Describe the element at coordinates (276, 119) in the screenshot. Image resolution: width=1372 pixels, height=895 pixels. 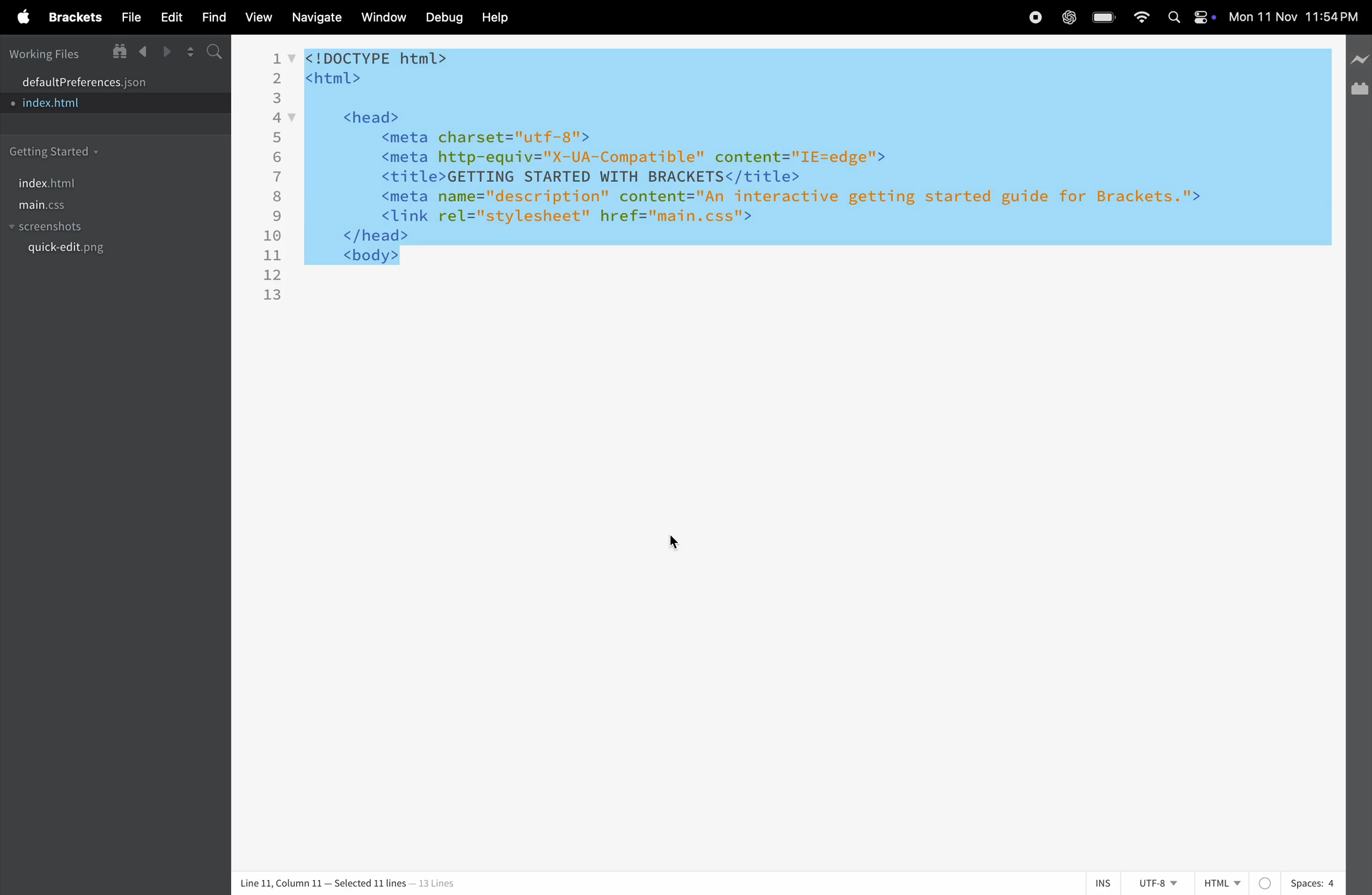
I see `4` at that location.